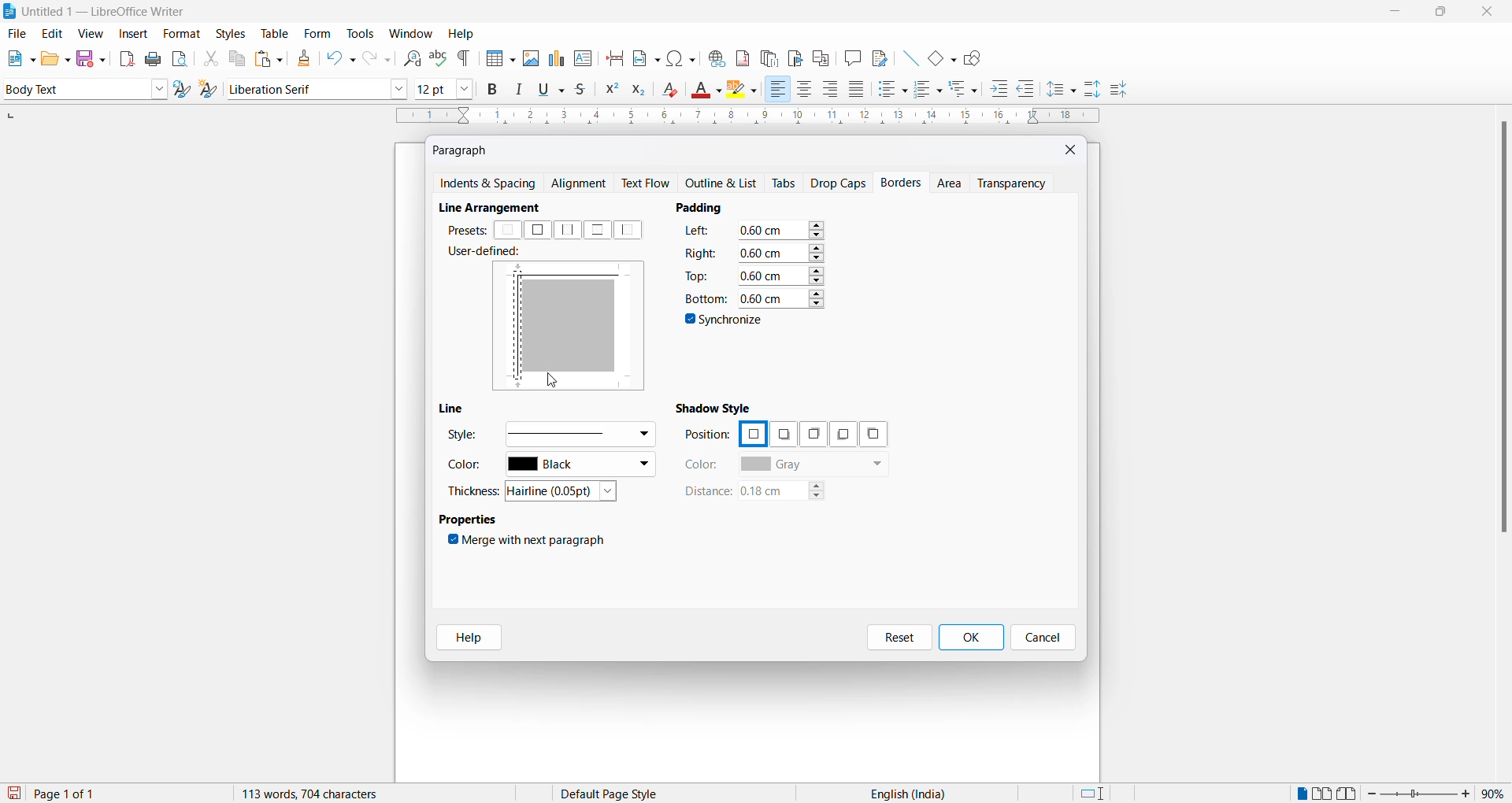 This screenshot has height=803, width=1512. Describe the element at coordinates (574, 329) in the screenshot. I see `paragraph mapping` at that location.